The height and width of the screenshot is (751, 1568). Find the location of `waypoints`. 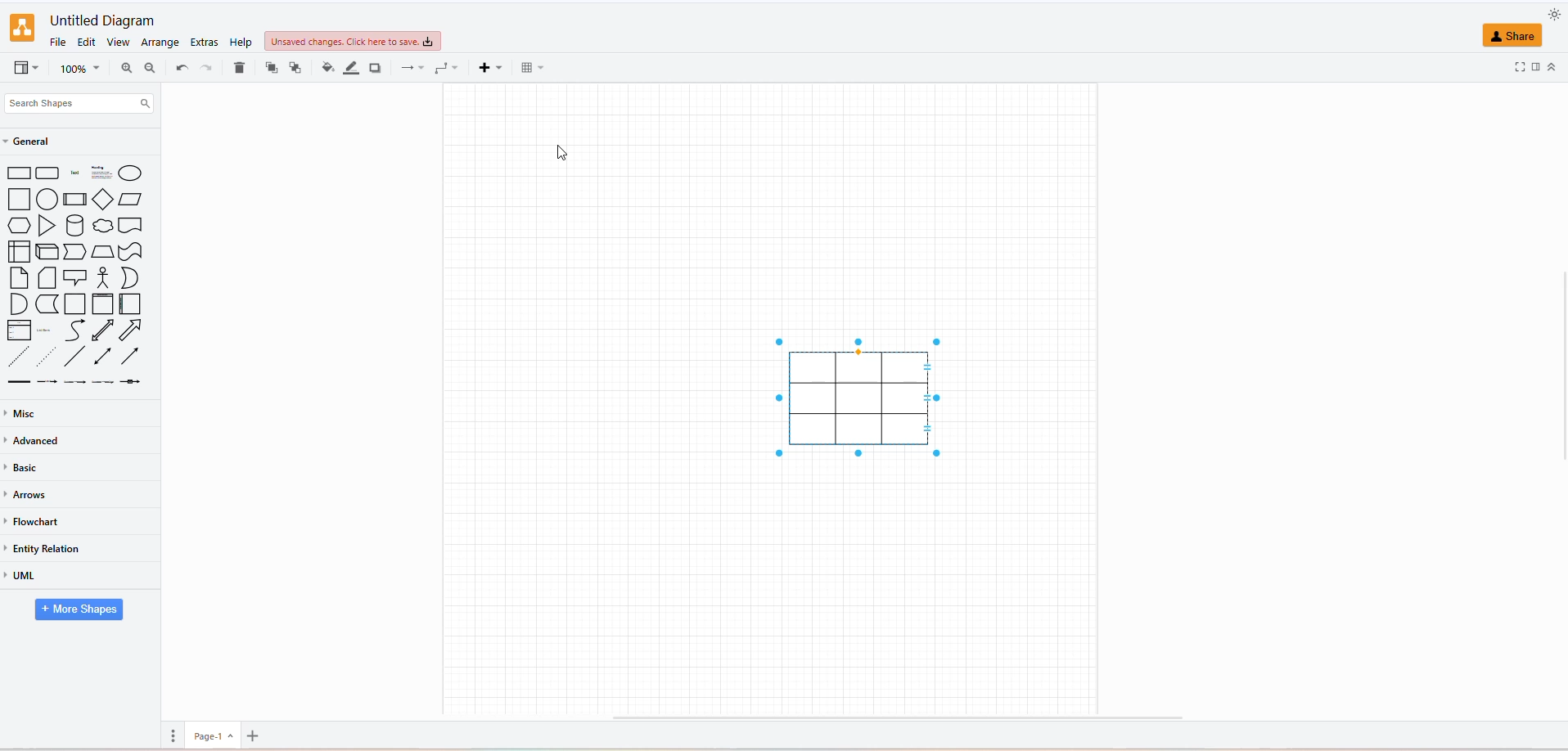

waypoints is located at coordinates (444, 68).